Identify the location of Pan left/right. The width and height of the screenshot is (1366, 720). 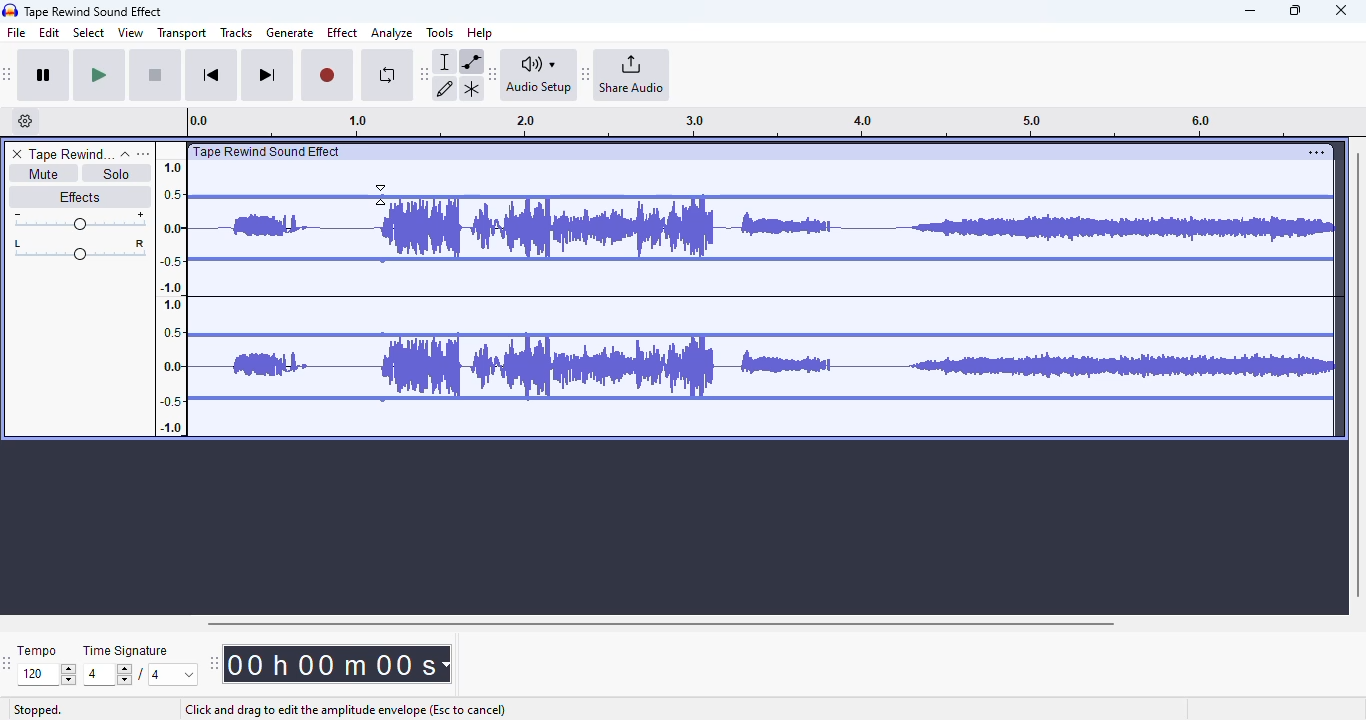
(80, 250).